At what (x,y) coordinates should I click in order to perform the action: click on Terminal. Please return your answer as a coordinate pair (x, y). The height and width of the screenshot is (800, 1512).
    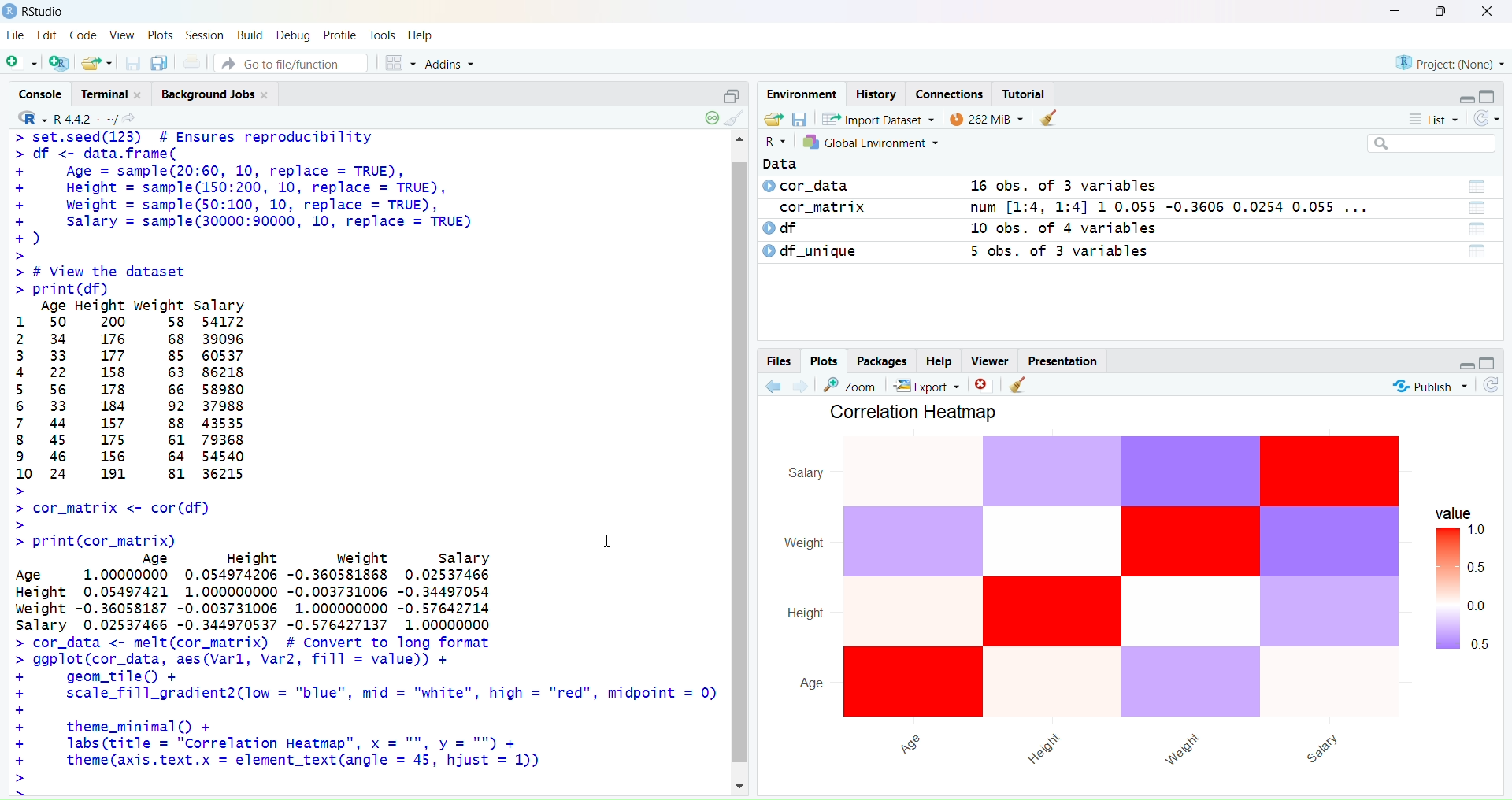
    Looking at the image, I should click on (117, 94).